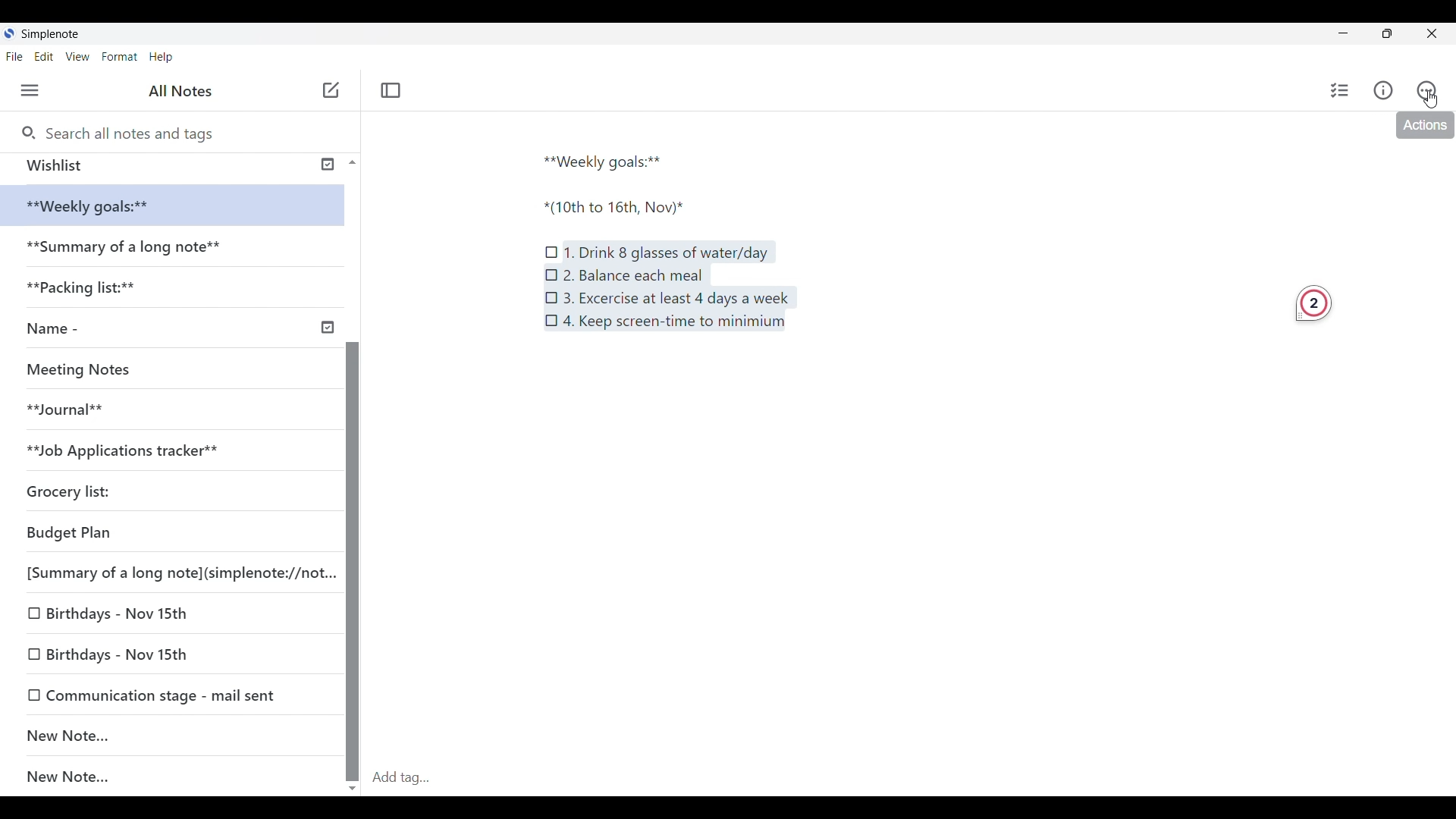 The image size is (1456, 819). I want to click on New note, so click(331, 89).